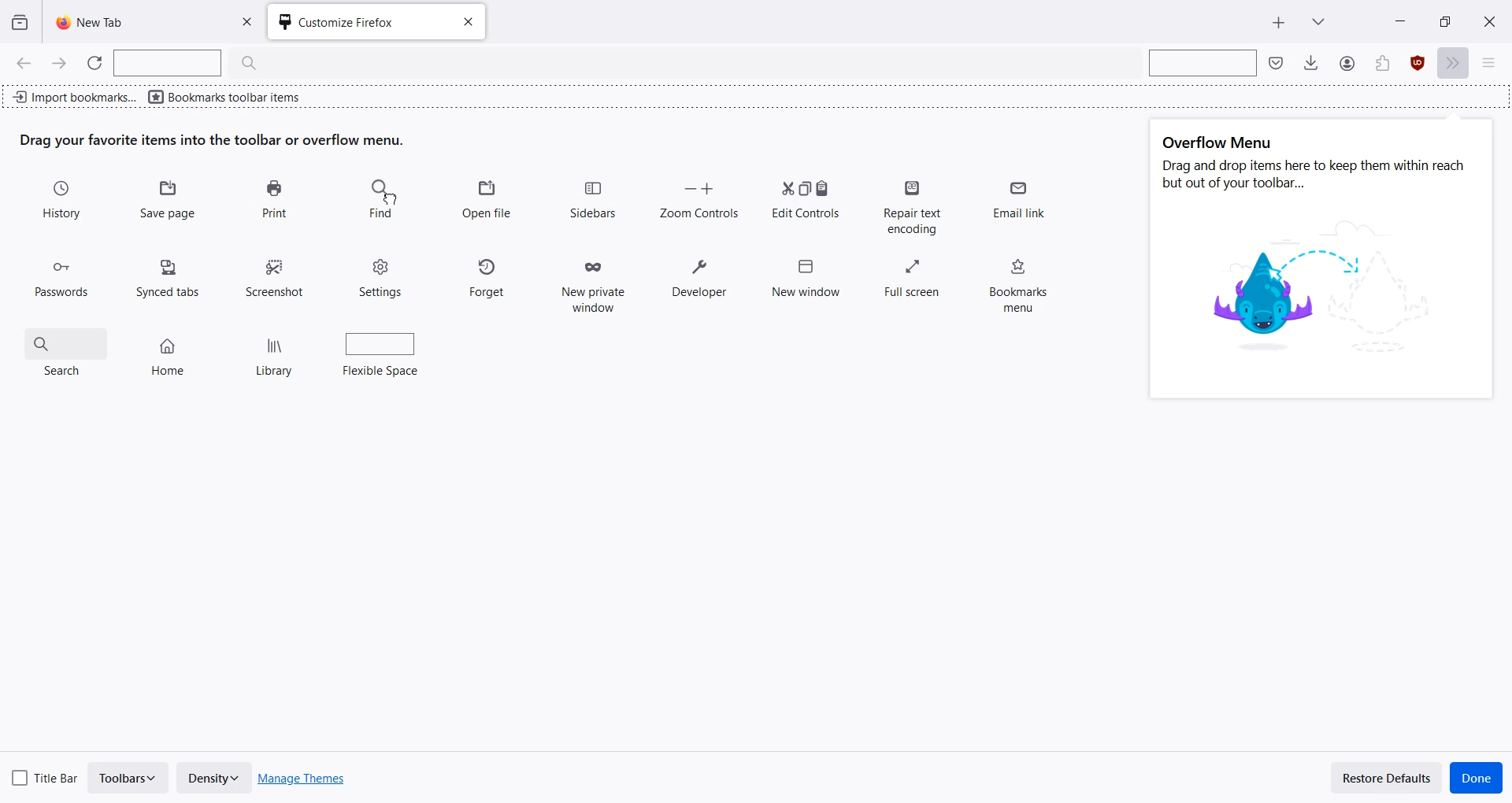 Image resolution: width=1512 pixels, height=803 pixels. Describe the element at coordinates (699, 273) in the screenshot. I see `Developer` at that location.